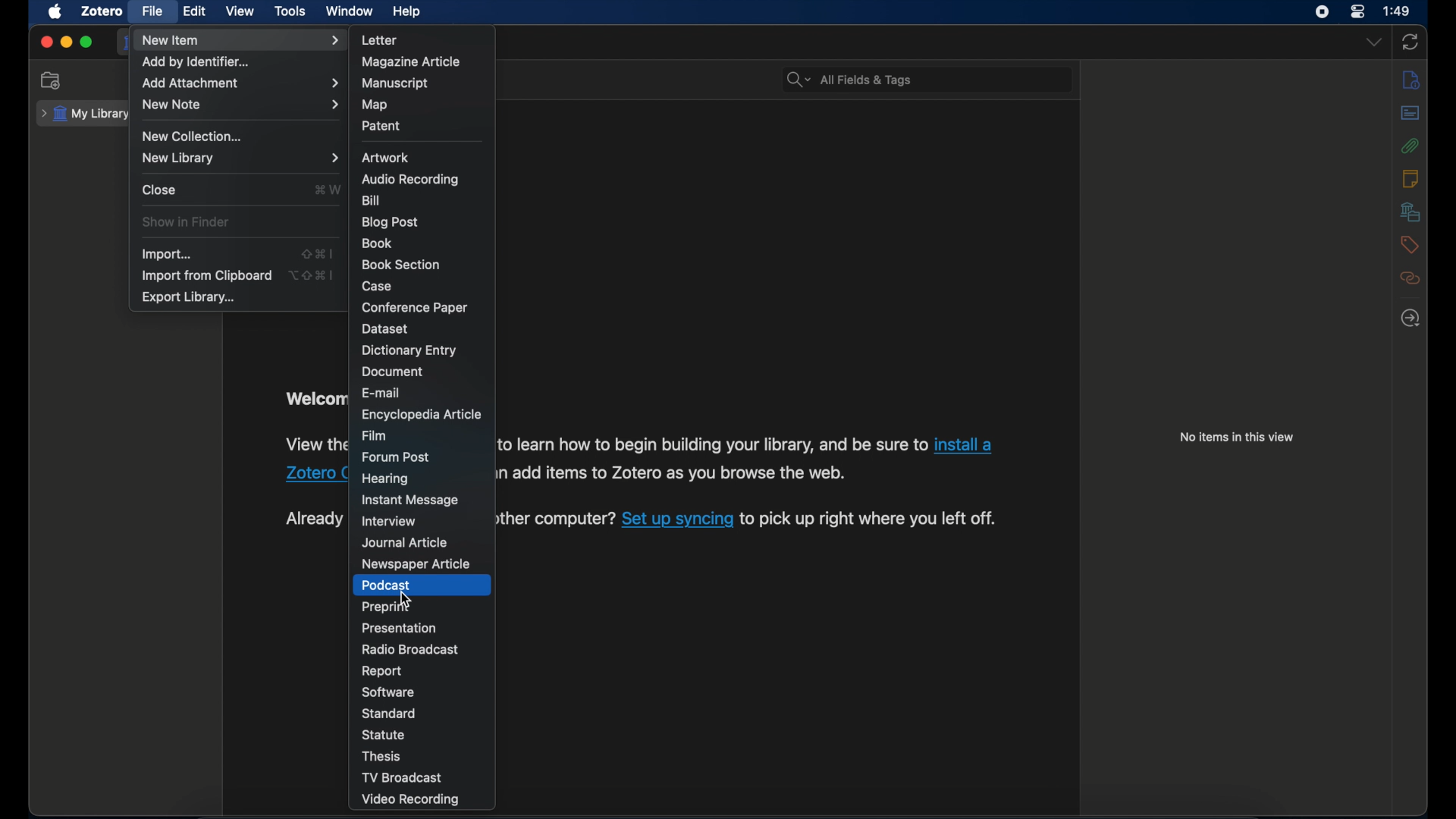  I want to click on to learn how to begin building your library, and be sure to, so click(712, 444).